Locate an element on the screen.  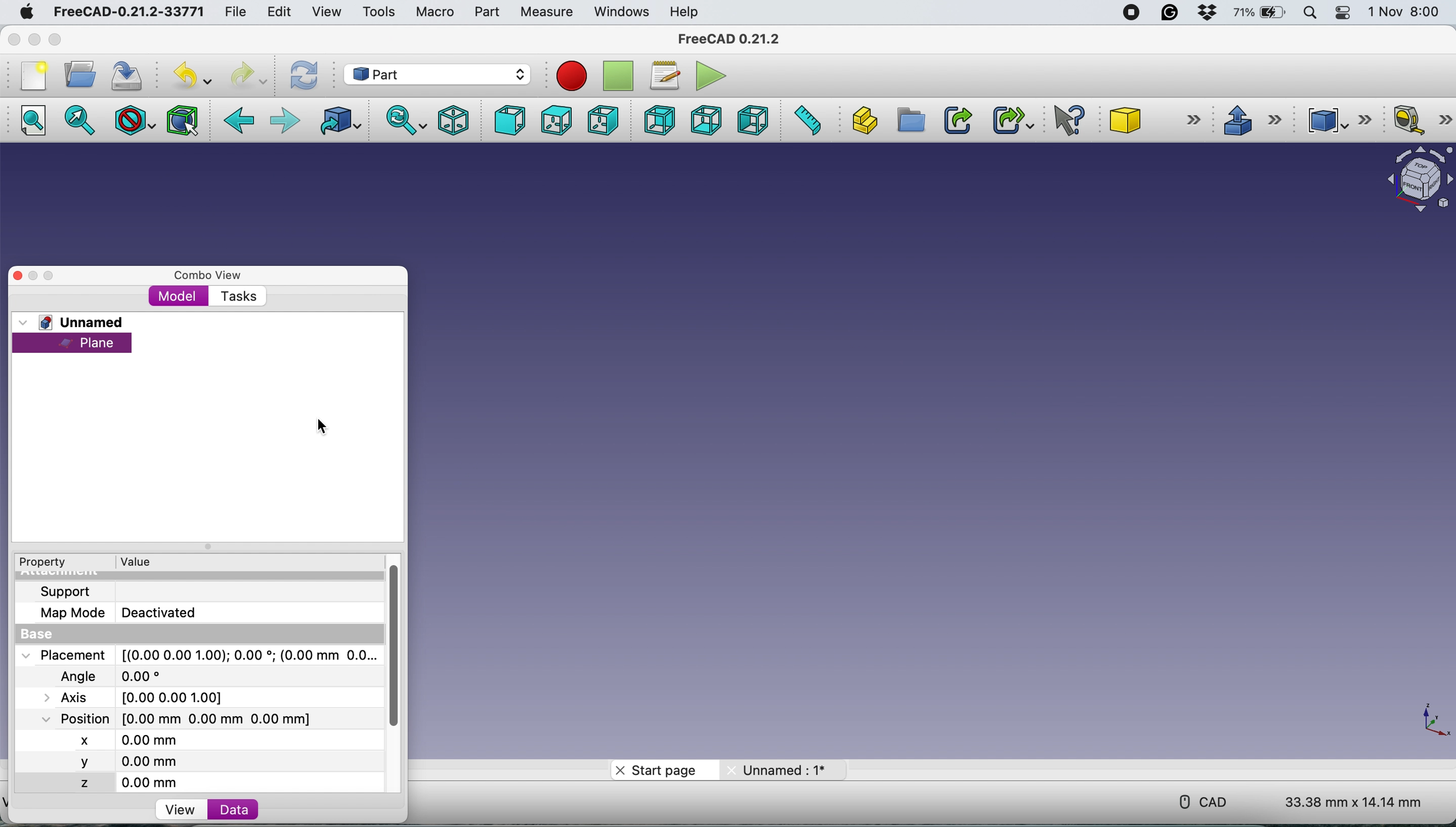
object interface is located at coordinates (1414, 182).